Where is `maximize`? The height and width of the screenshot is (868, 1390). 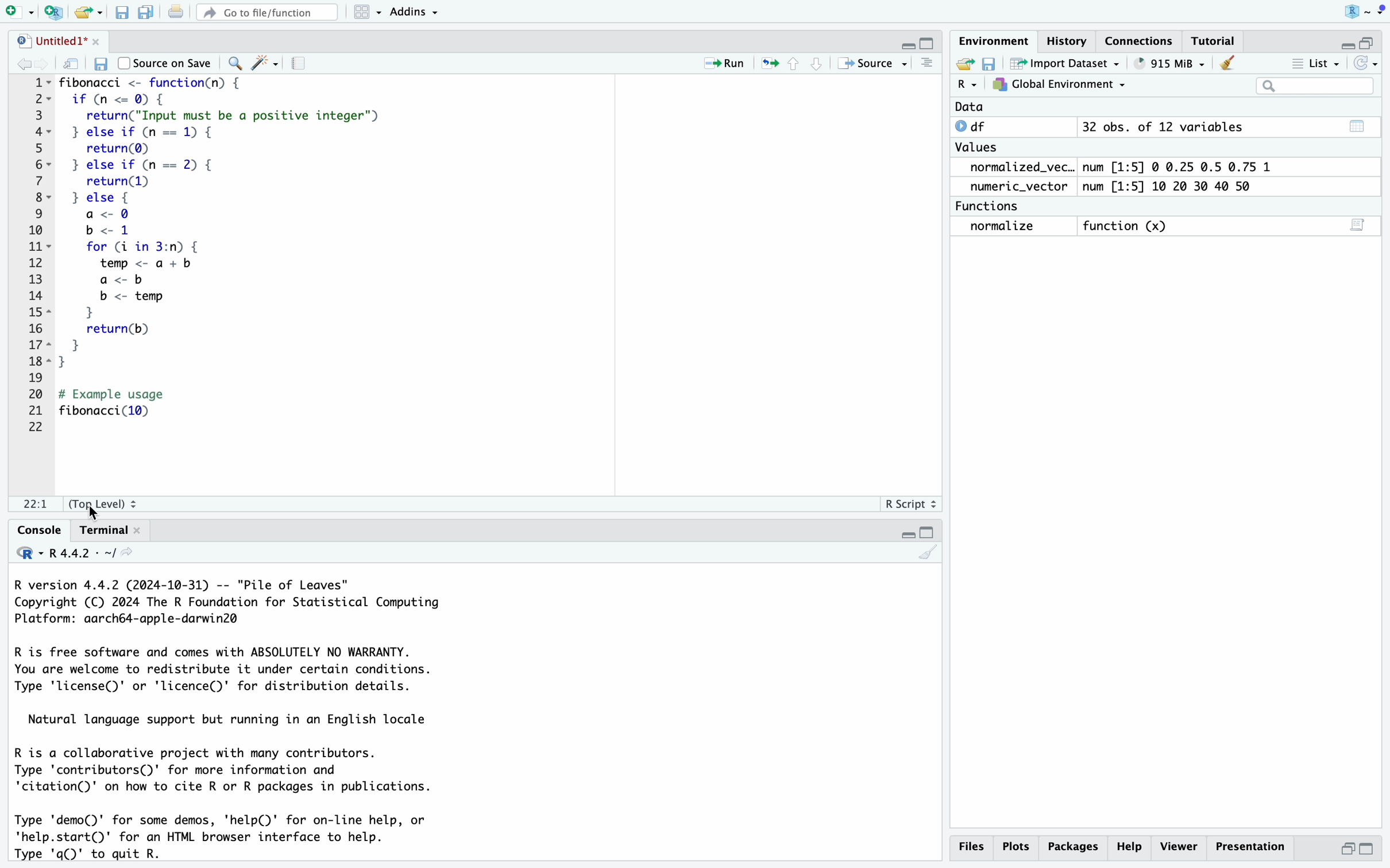 maximize is located at coordinates (1374, 850).